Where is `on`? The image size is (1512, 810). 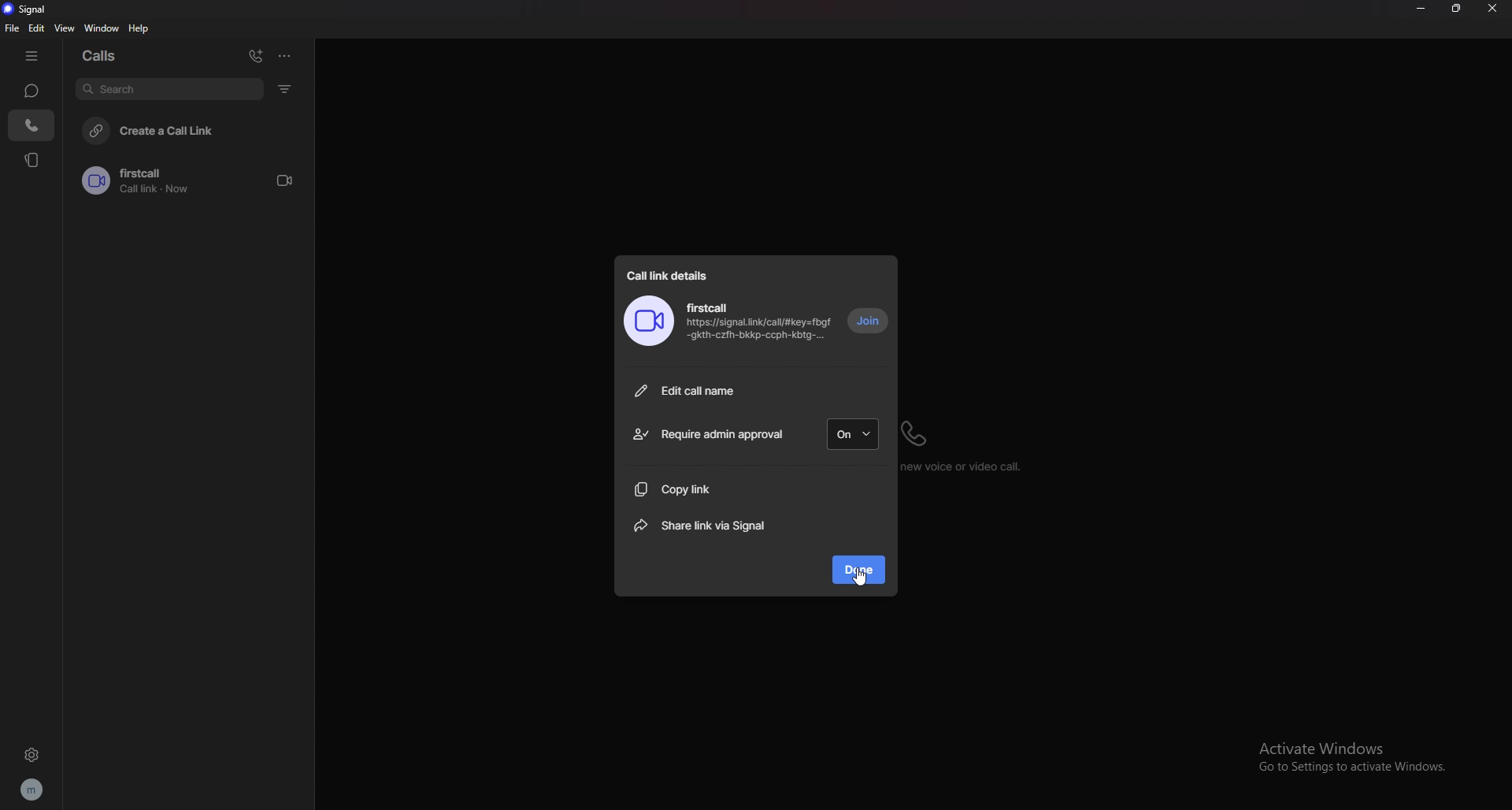
on is located at coordinates (854, 434).